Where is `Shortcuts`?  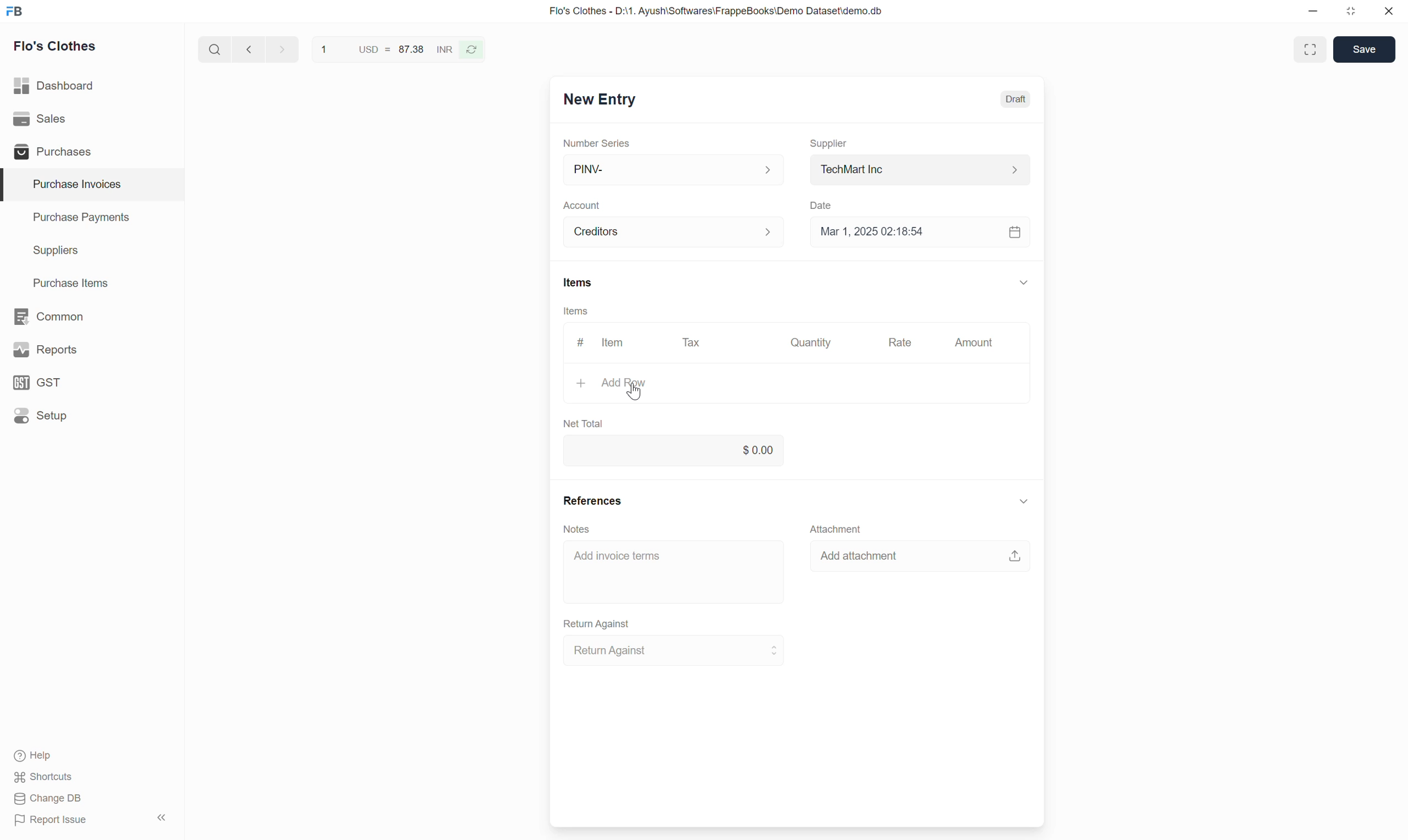
Shortcuts is located at coordinates (44, 777).